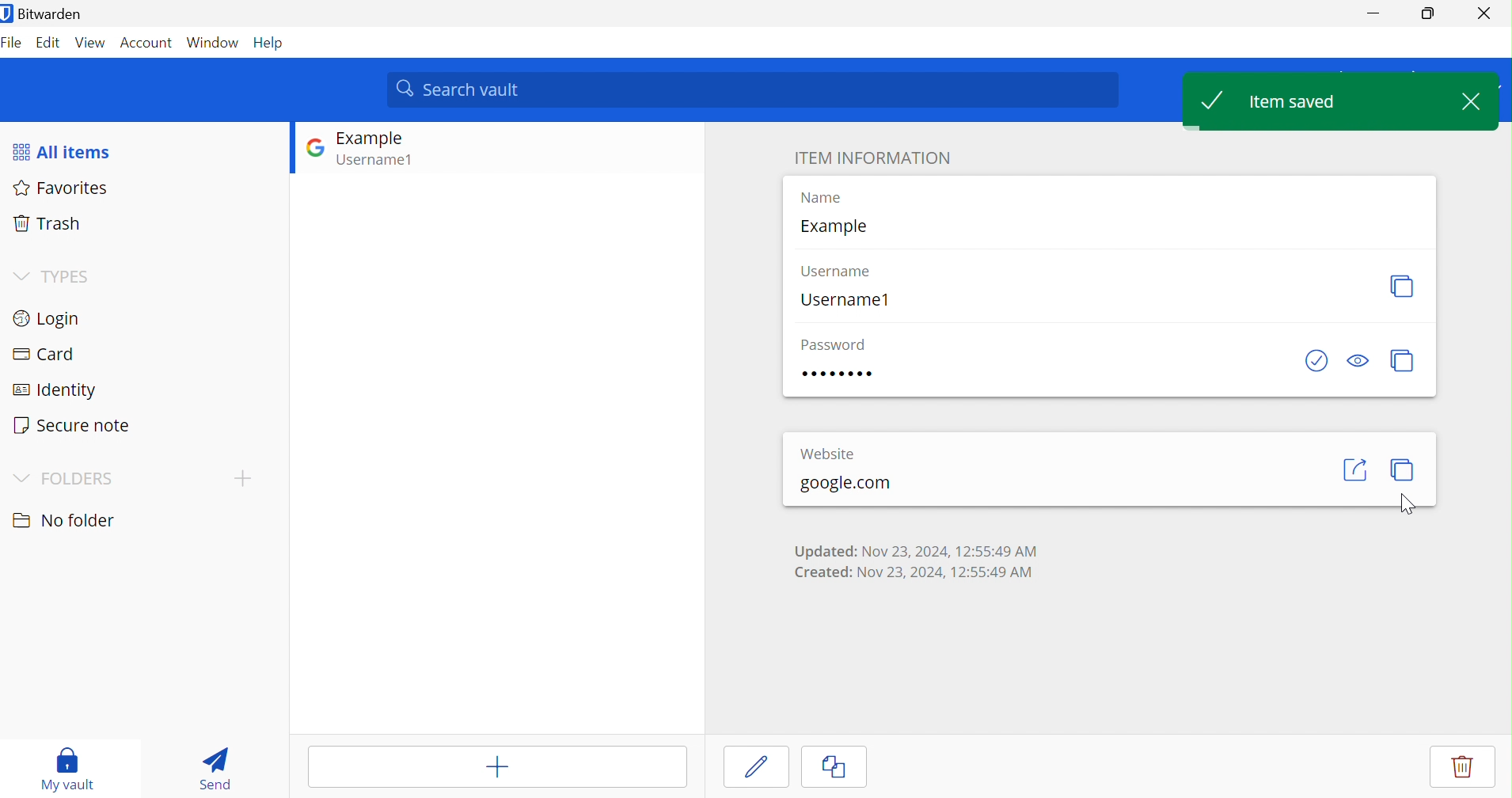  Describe the element at coordinates (63, 150) in the screenshot. I see `All items` at that location.